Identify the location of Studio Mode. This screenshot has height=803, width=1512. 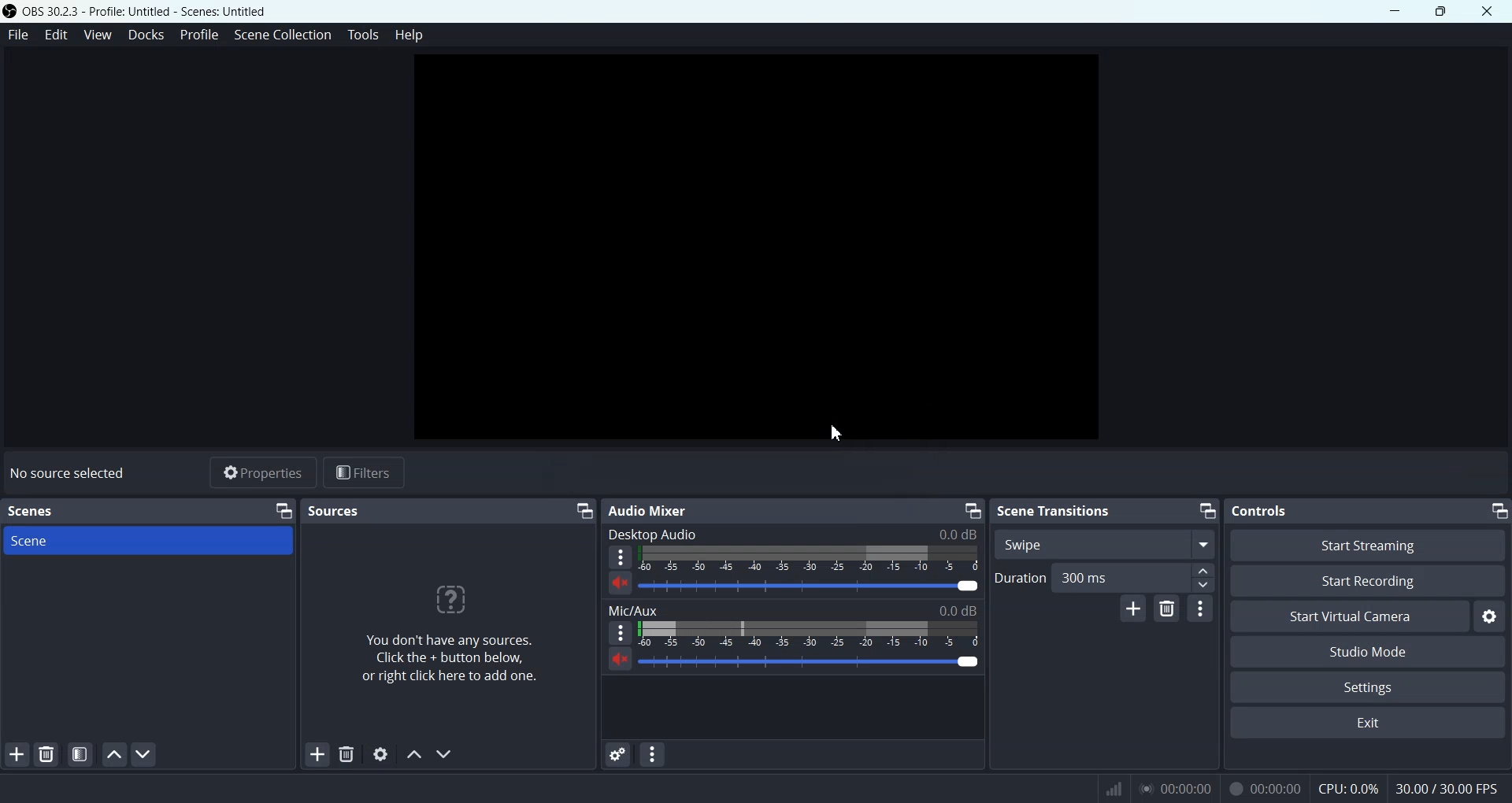
(1369, 653).